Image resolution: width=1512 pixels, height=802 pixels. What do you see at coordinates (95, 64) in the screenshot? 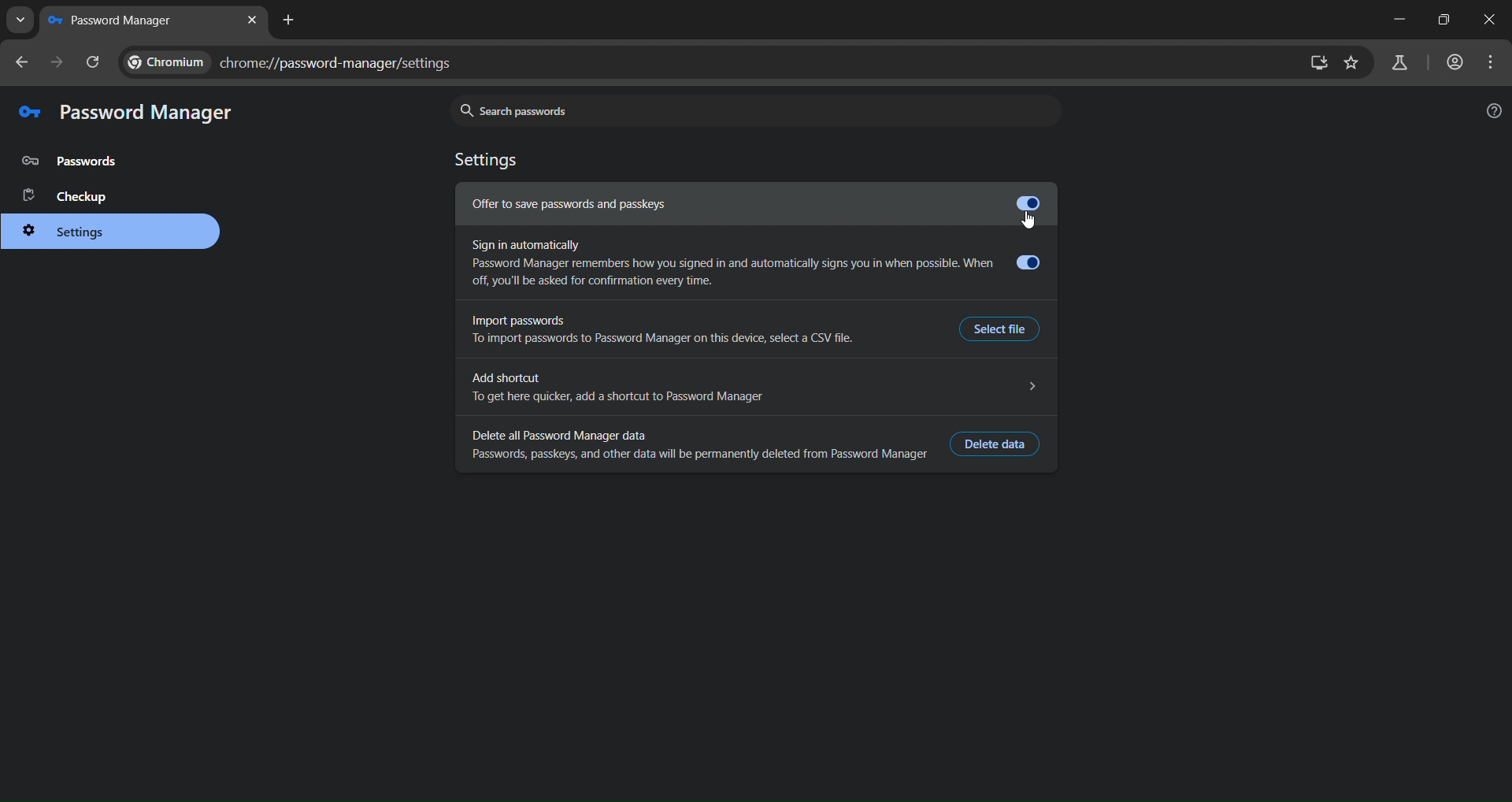
I see `reload page` at bounding box center [95, 64].